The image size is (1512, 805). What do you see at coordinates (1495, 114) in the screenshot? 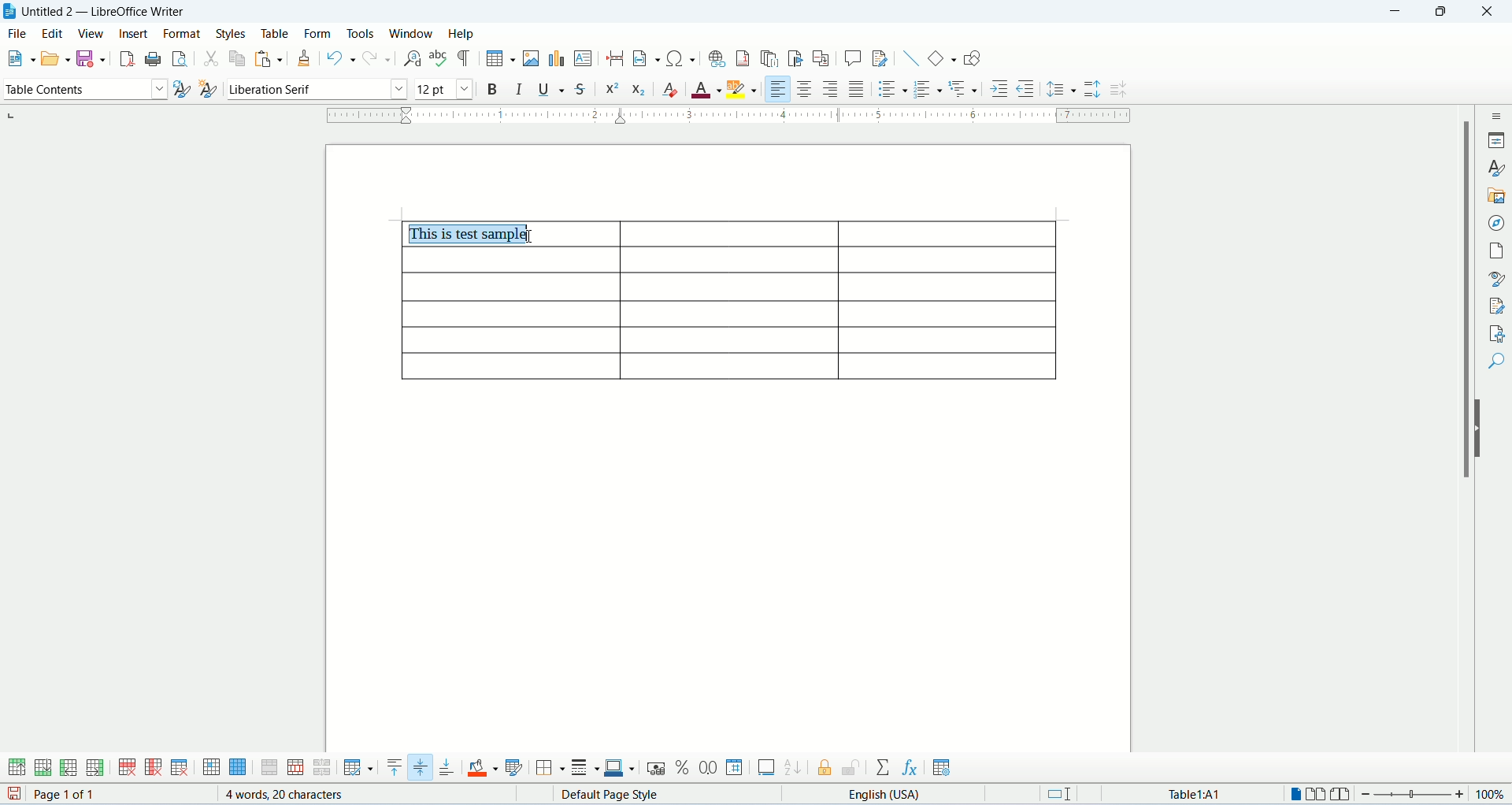
I see `sidebar settings` at bounding box center [1495, 114].